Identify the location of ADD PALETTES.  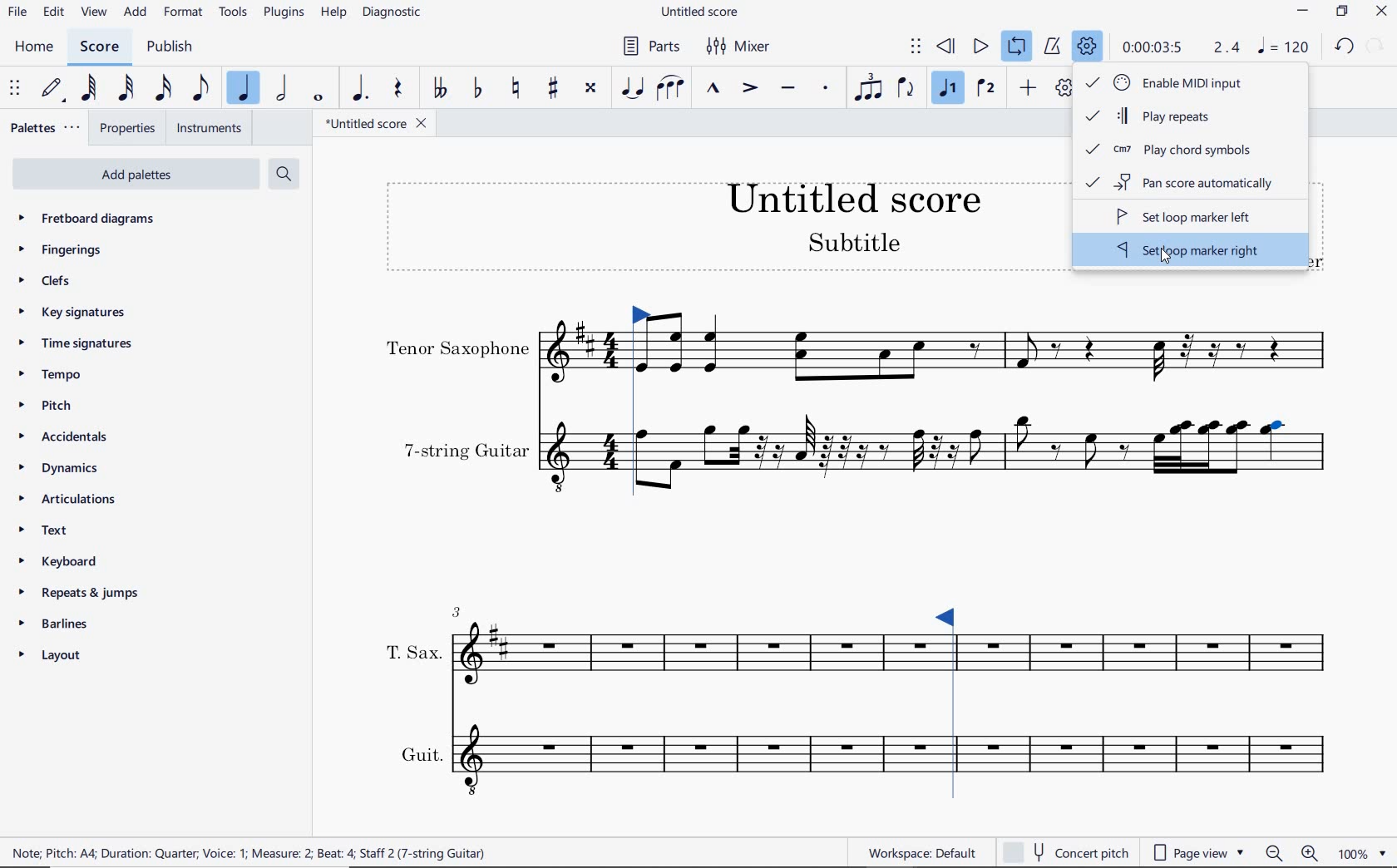
(140, 175).